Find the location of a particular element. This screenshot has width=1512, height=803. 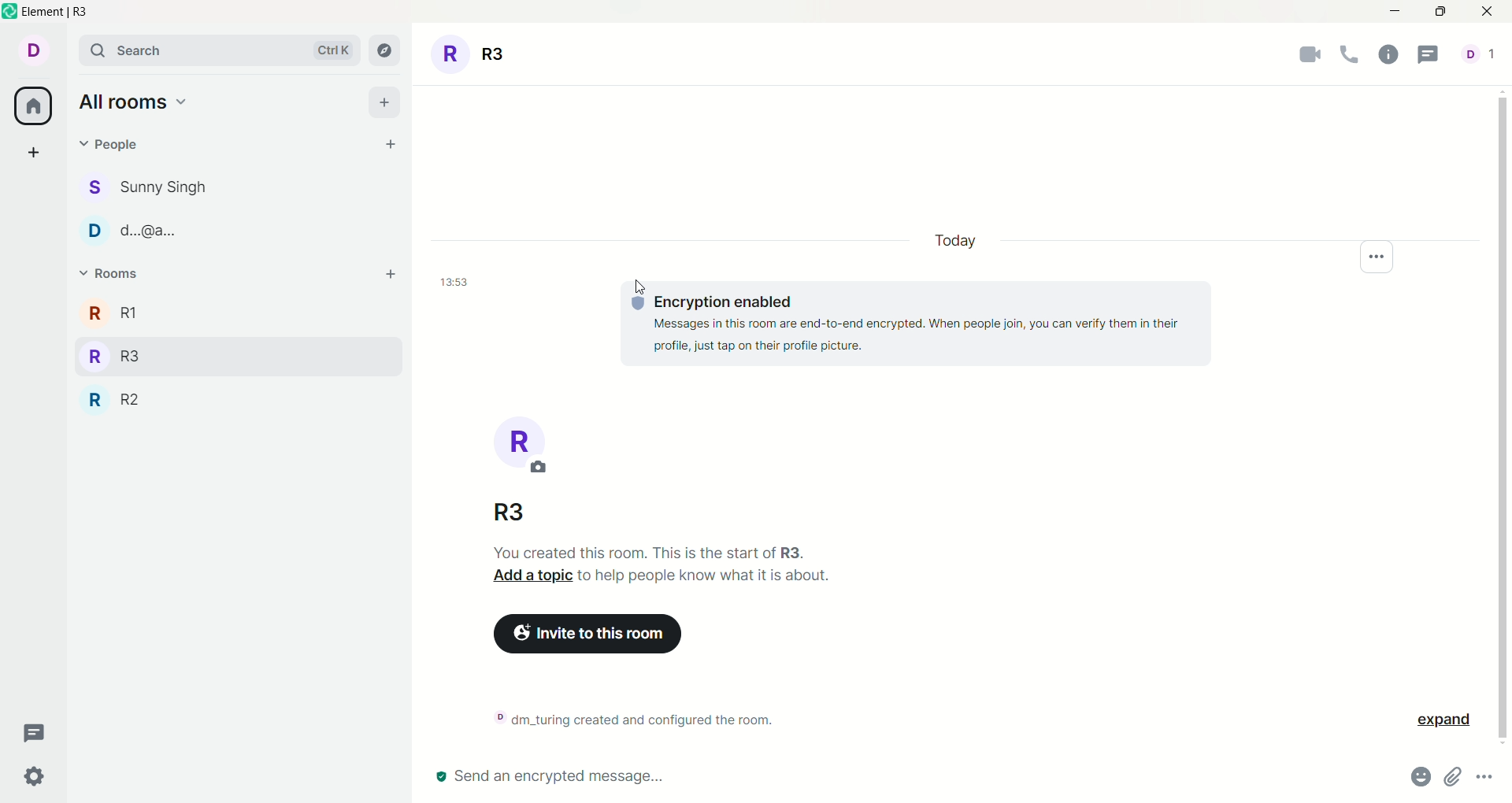

maximize is located at coordinates (1440, 13).